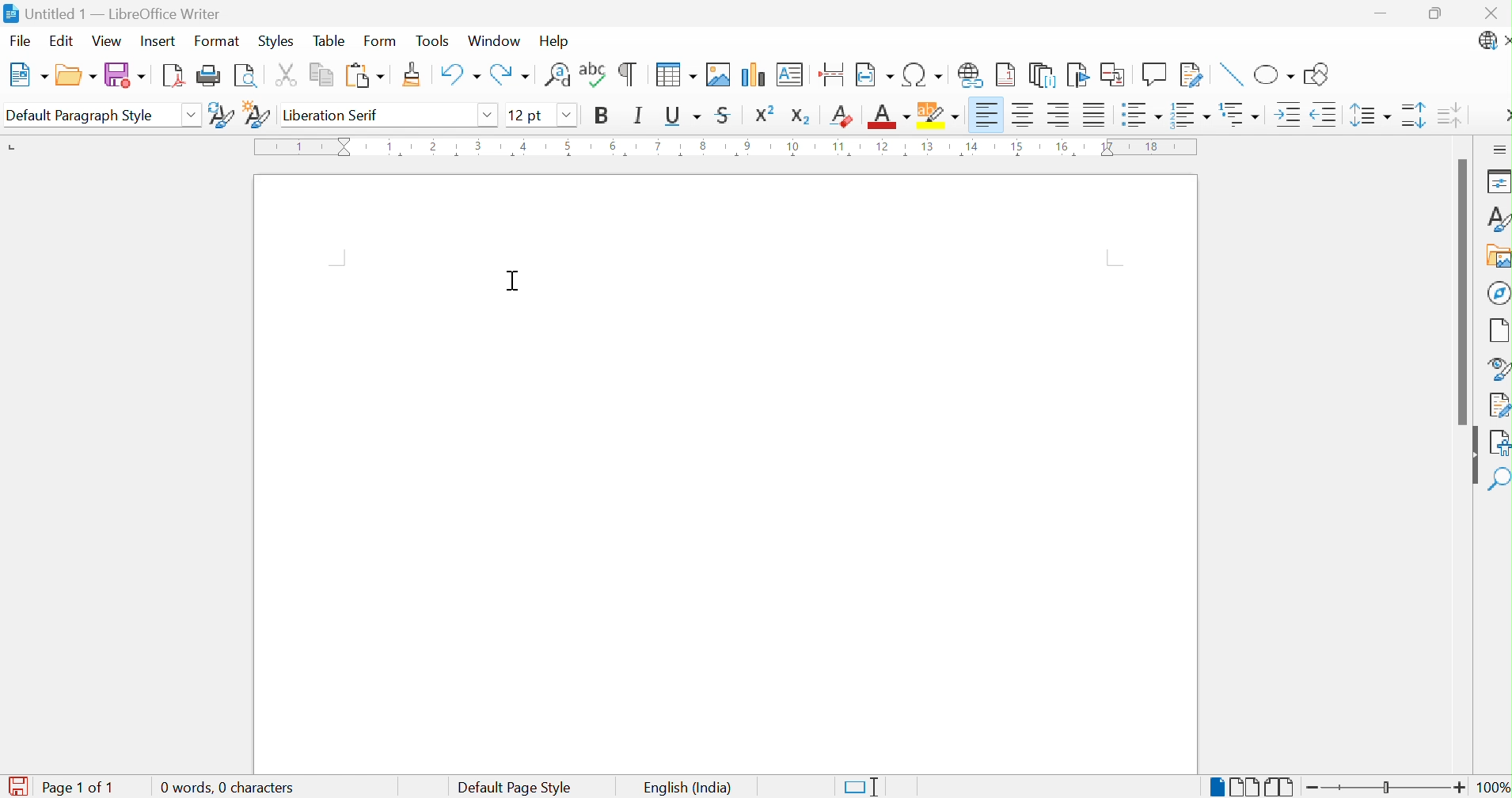  What do you see at coordinates (1471, 456) in the screenshot?
I see `Hide` at bounding box center [1471, 456].